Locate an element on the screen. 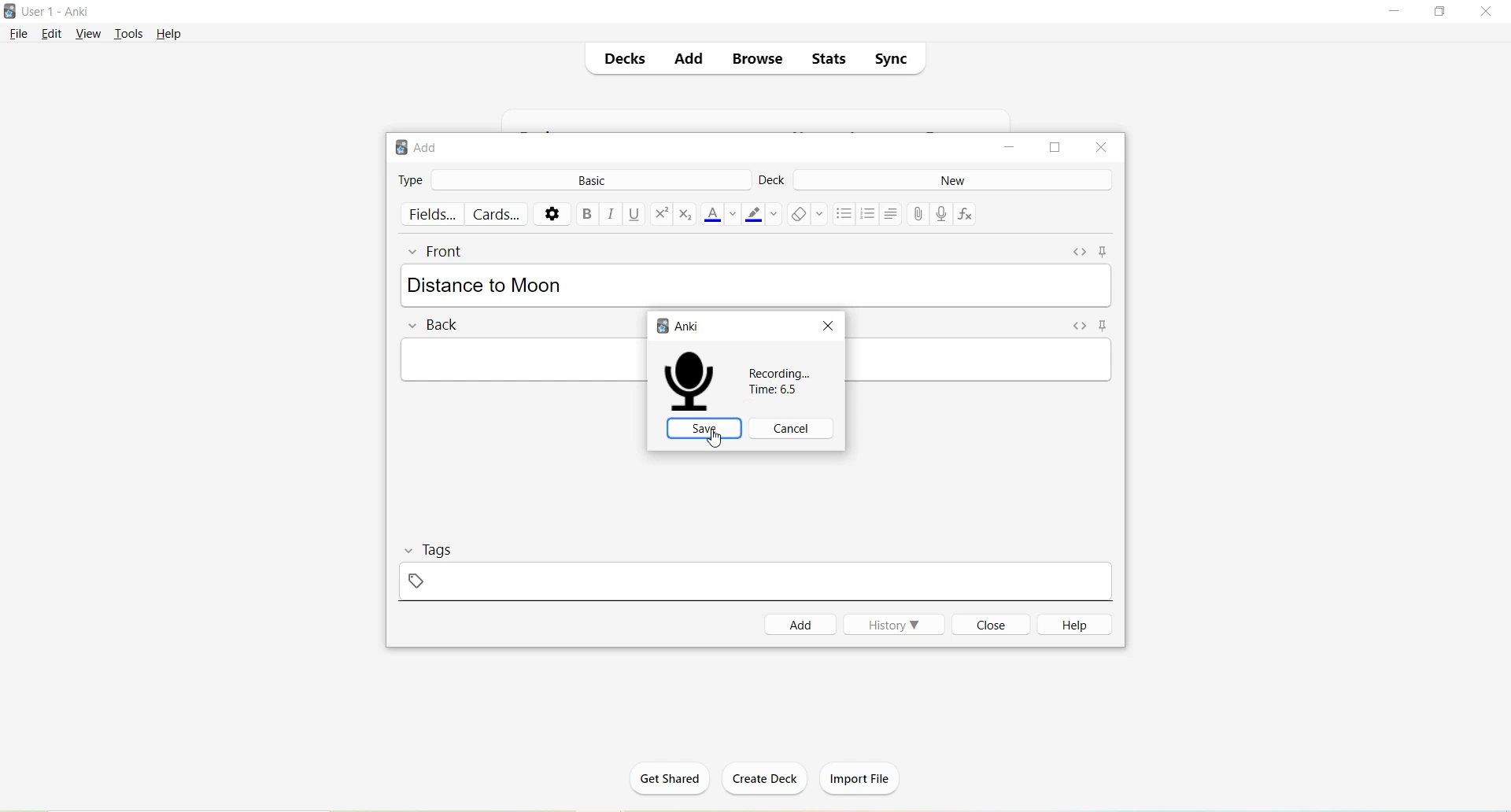  Close is located at coordinates (1101, 148).